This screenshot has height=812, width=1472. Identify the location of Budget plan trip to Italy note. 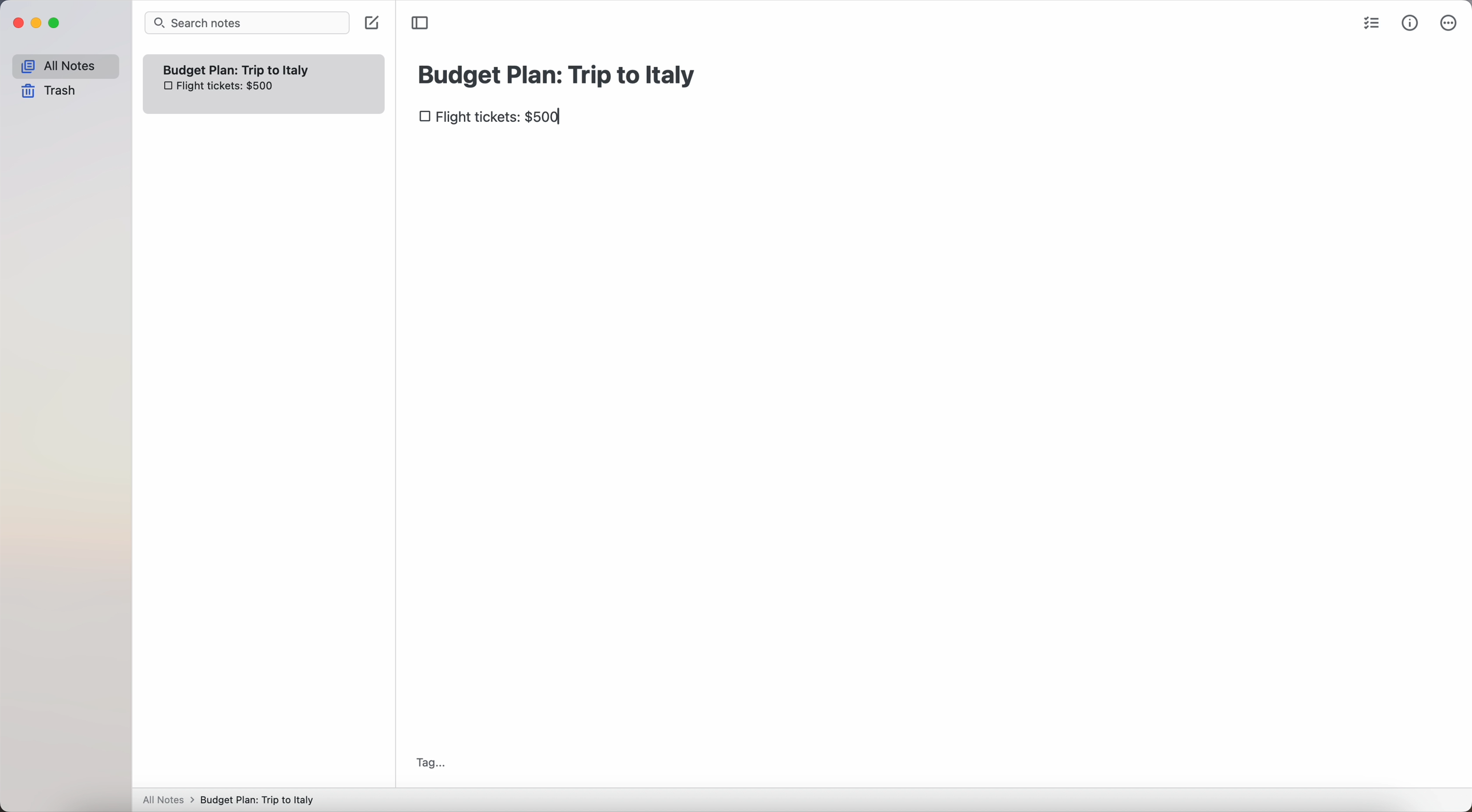
(238, 69).